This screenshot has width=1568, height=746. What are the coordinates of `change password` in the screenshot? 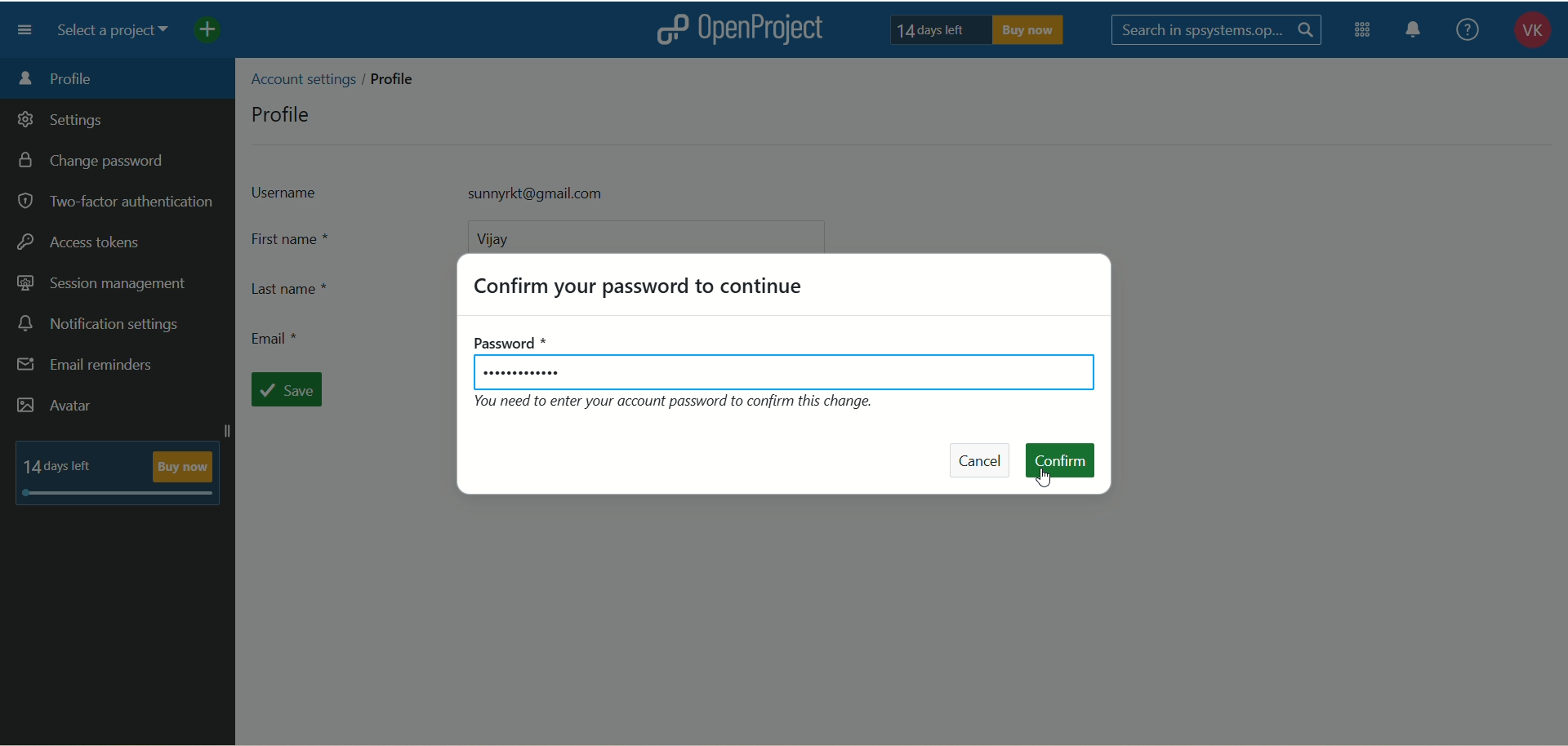 It's located at (97, 162).